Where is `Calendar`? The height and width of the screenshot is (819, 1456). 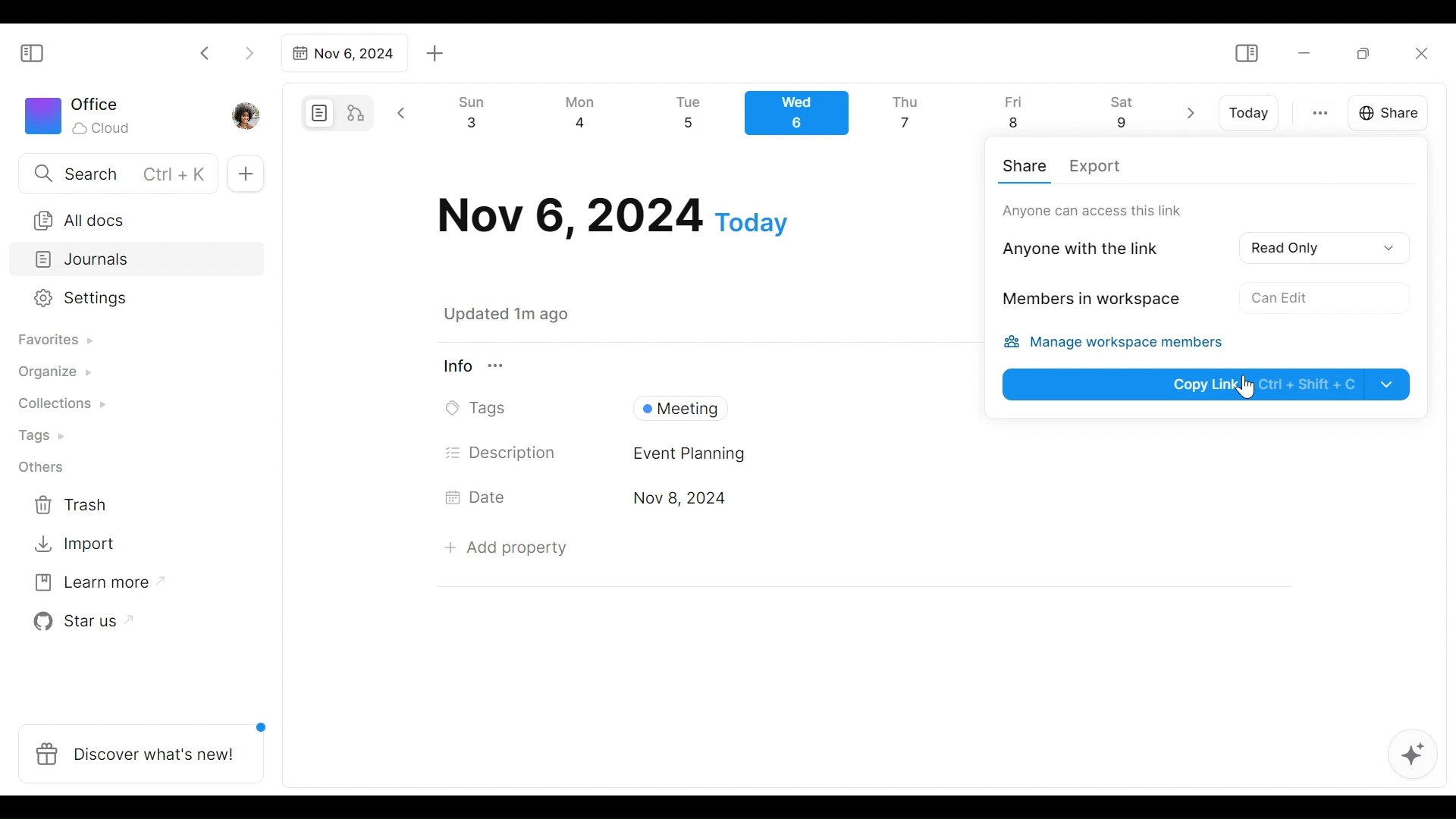 Calendar is located at coordinates (803, 117).